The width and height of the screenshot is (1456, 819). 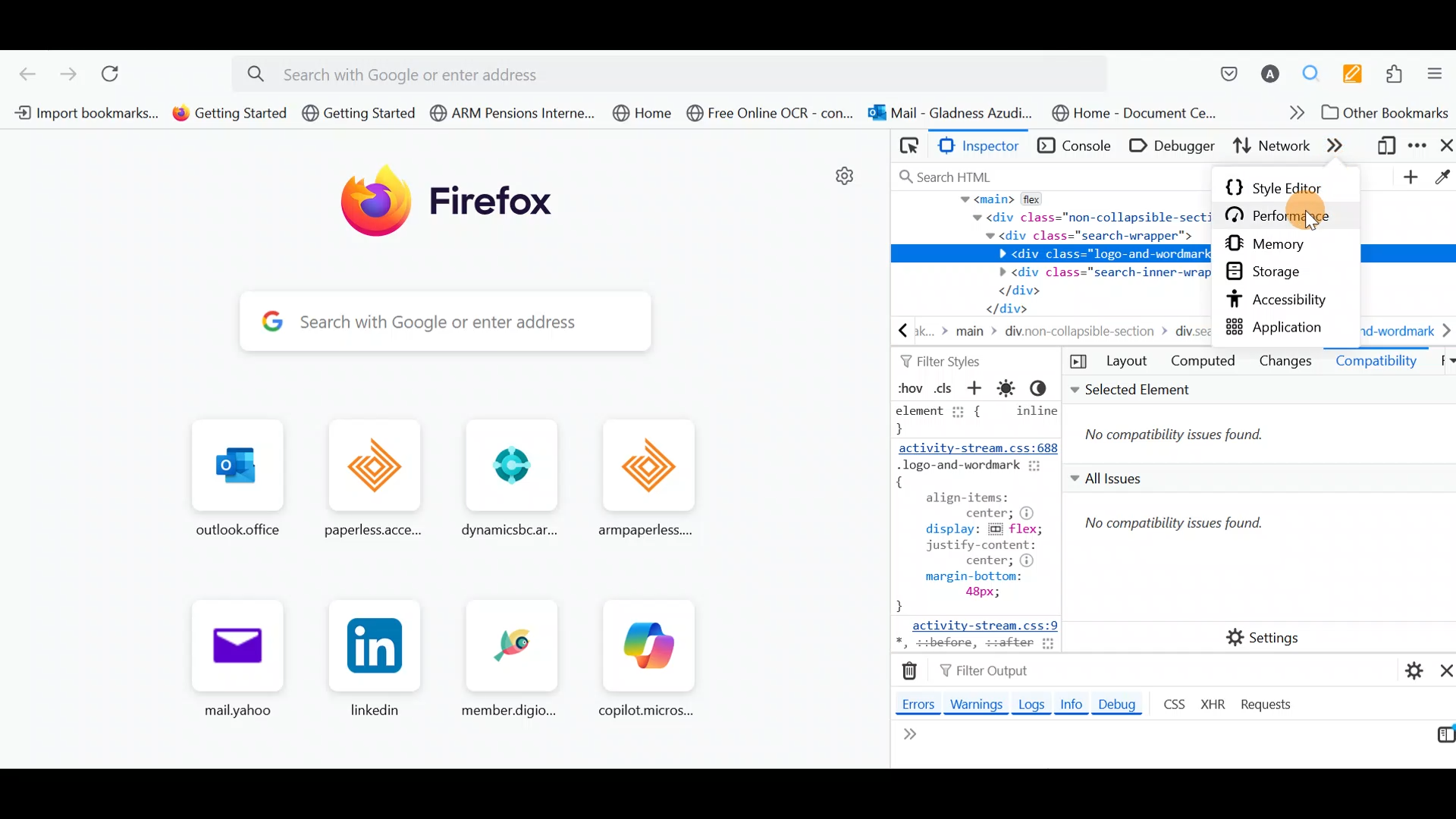 I want to click on Toggle dark color scheme simulation for the page, so click(x=1046, y=390).